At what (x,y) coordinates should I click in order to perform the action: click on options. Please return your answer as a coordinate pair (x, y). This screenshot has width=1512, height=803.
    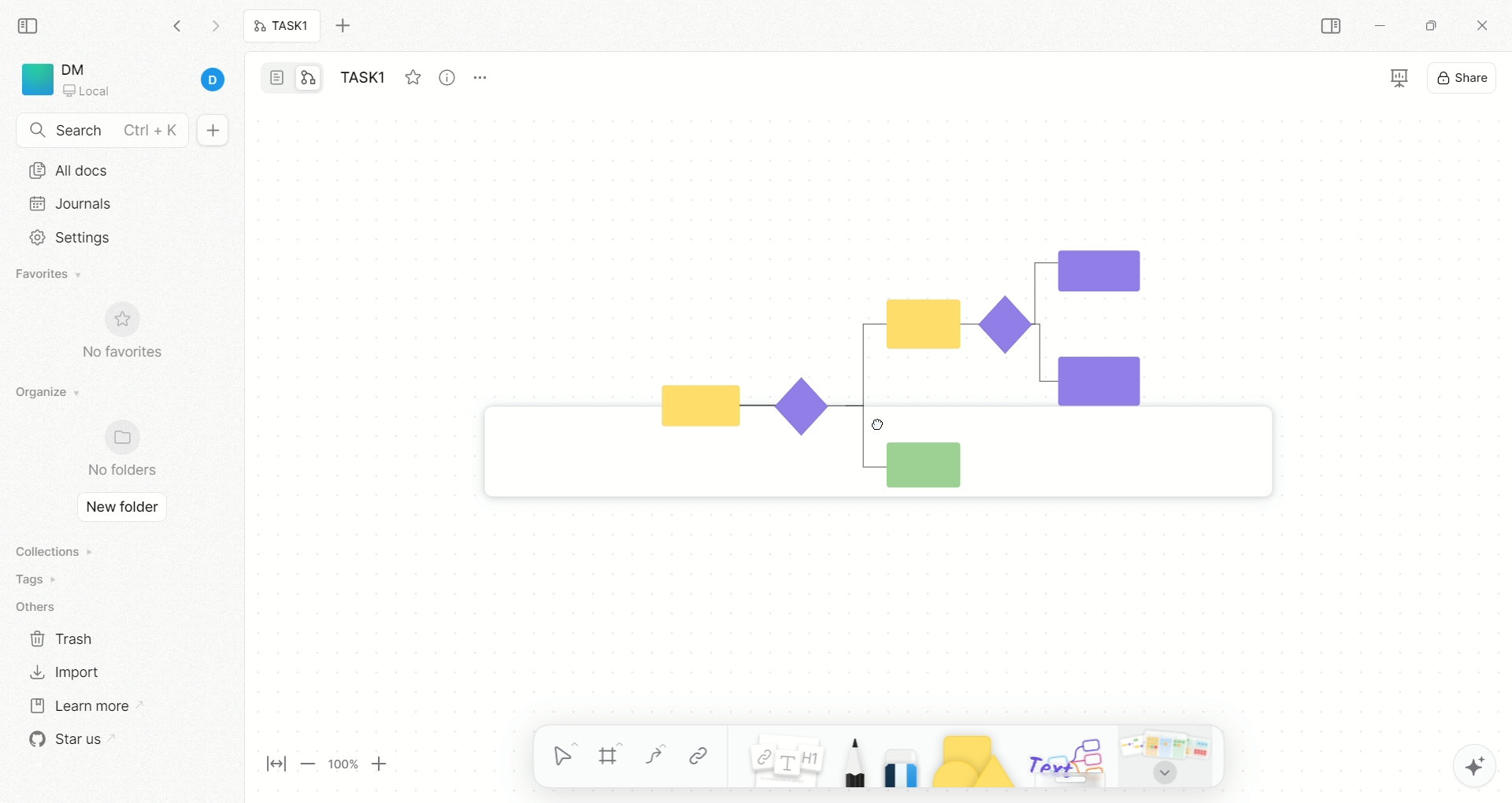
    Looking at the image, I should click on (488, 74).